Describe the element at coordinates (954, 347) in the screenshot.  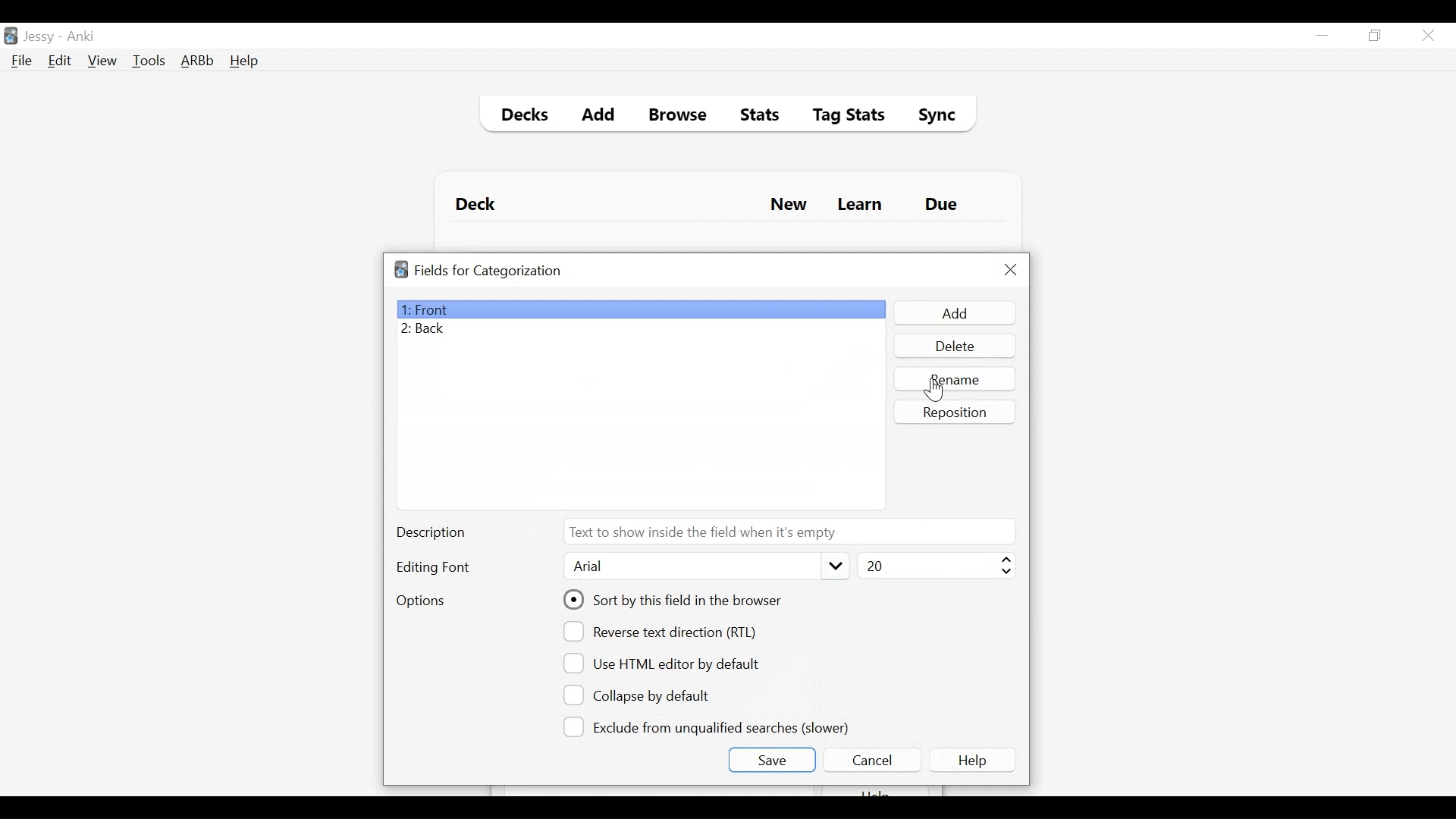
I see `Delete` at that location.